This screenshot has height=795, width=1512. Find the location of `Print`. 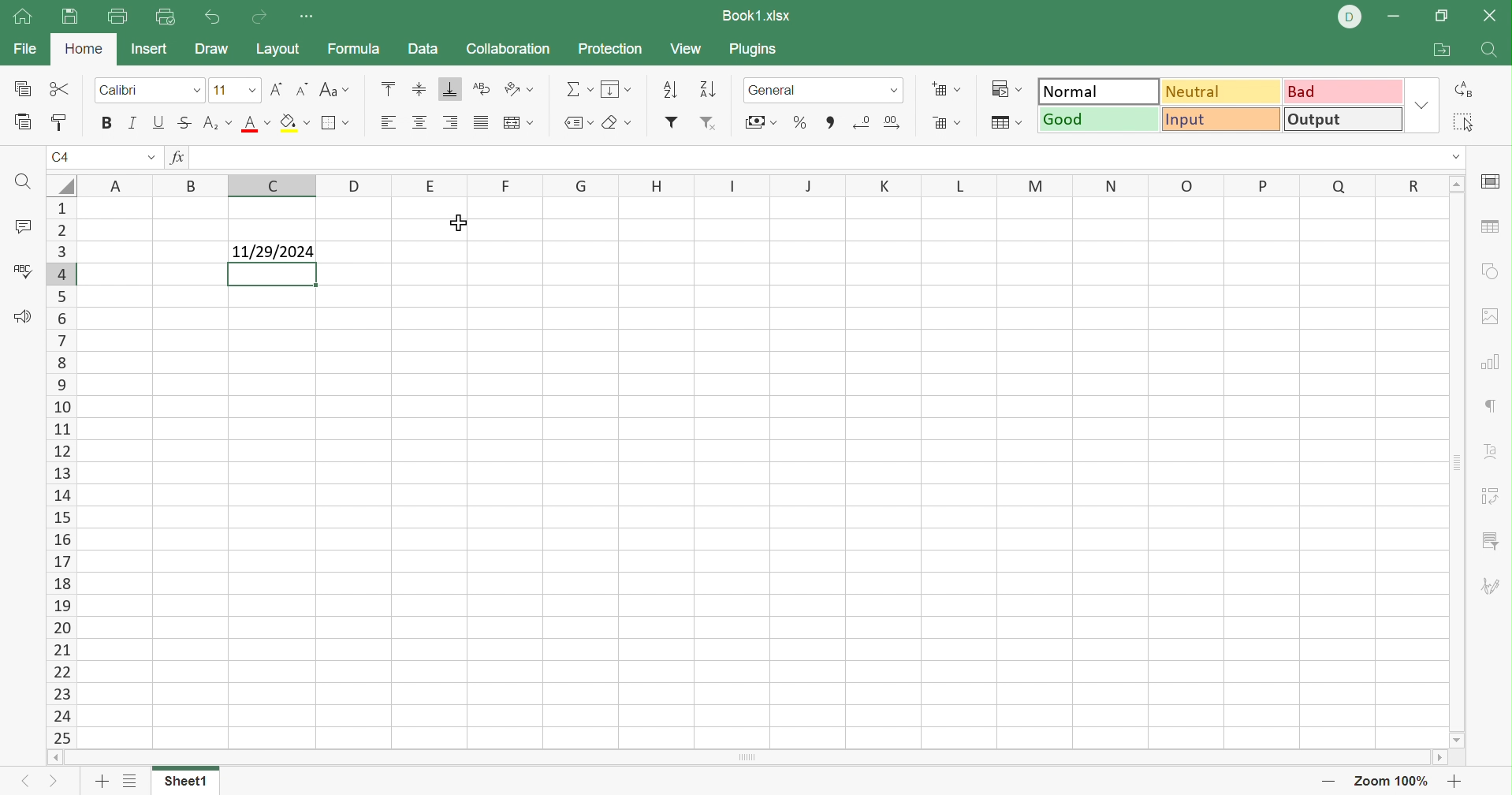

Print is located at coordinates (69, 17).